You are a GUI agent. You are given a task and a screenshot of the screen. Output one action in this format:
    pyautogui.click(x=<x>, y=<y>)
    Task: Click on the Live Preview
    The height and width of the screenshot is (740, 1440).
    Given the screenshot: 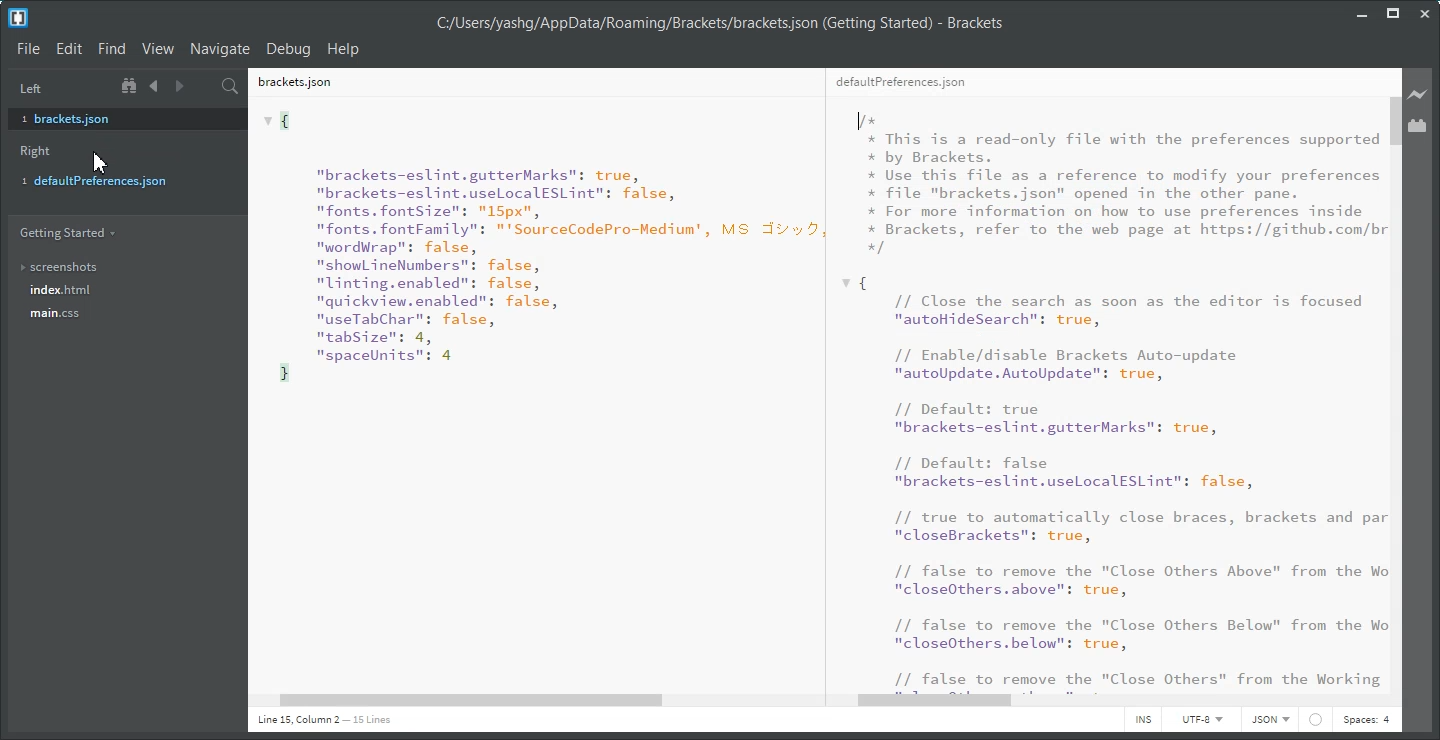 What is the action you would take?
    pyautogui.click(x=1418, y=94)
    